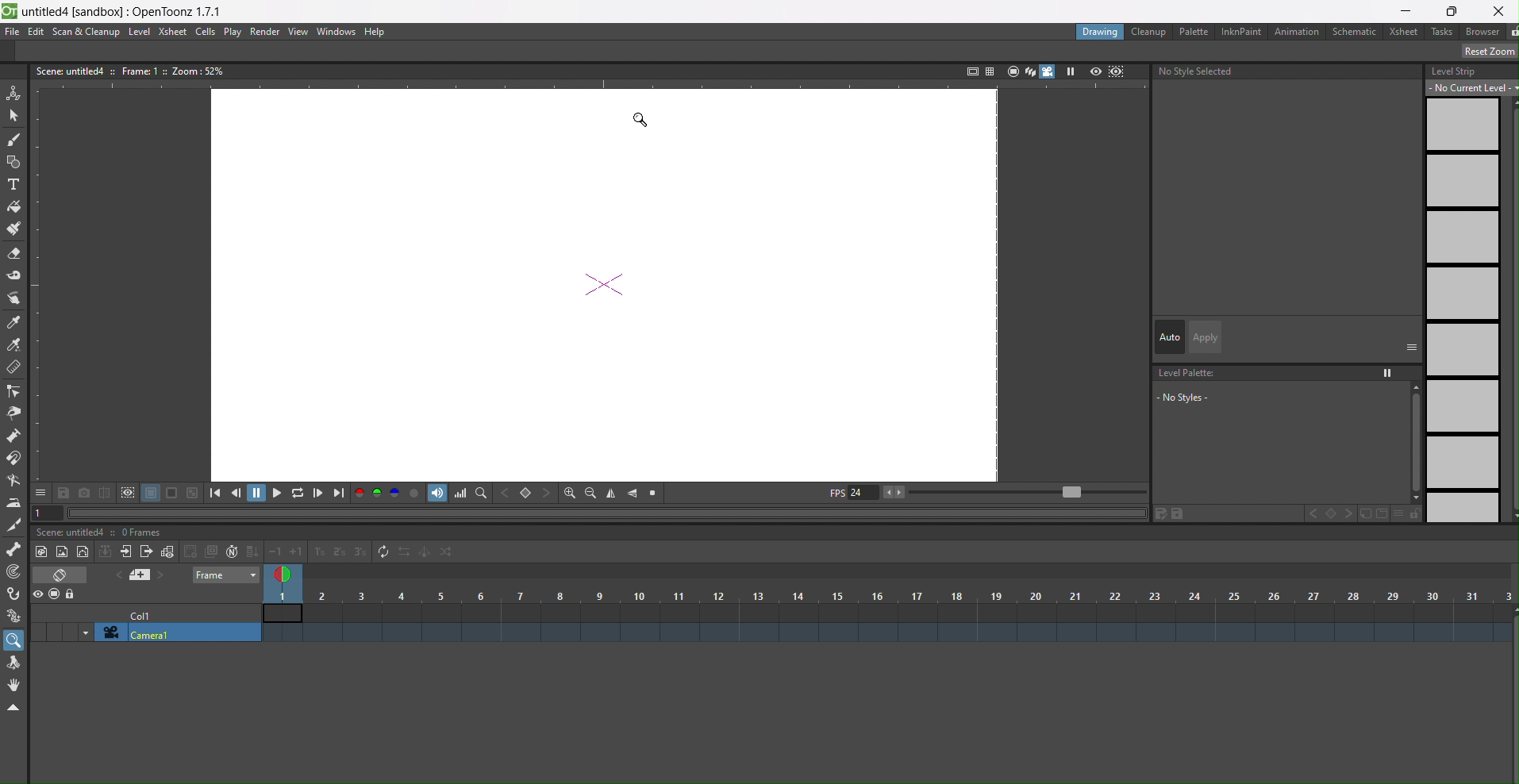  What do you see at coordinates (483, 492) in the screenshot?
I see `` at bounding box center [483, 492].